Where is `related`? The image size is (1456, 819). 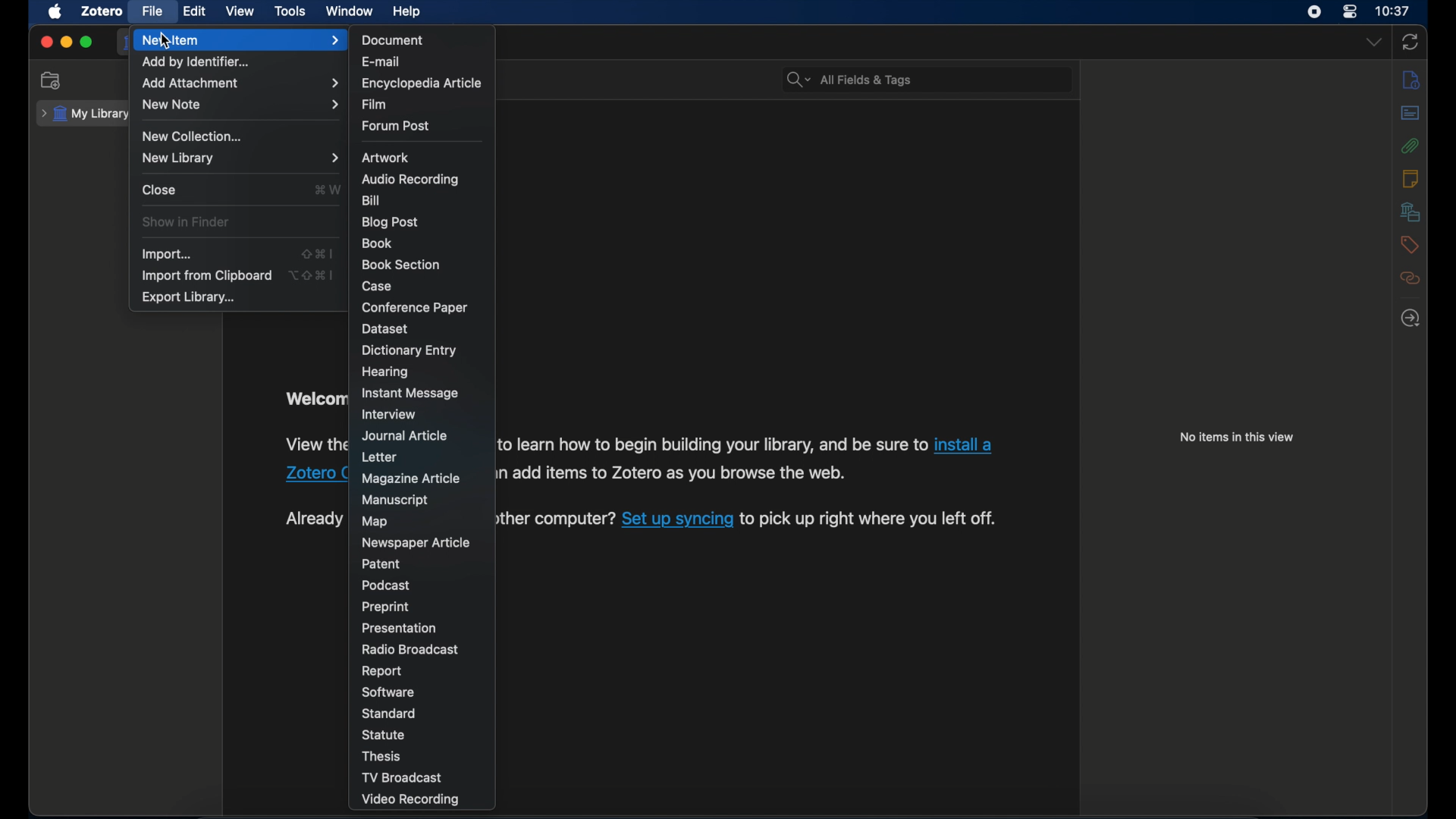
related is located at coordinates (1410, 278).